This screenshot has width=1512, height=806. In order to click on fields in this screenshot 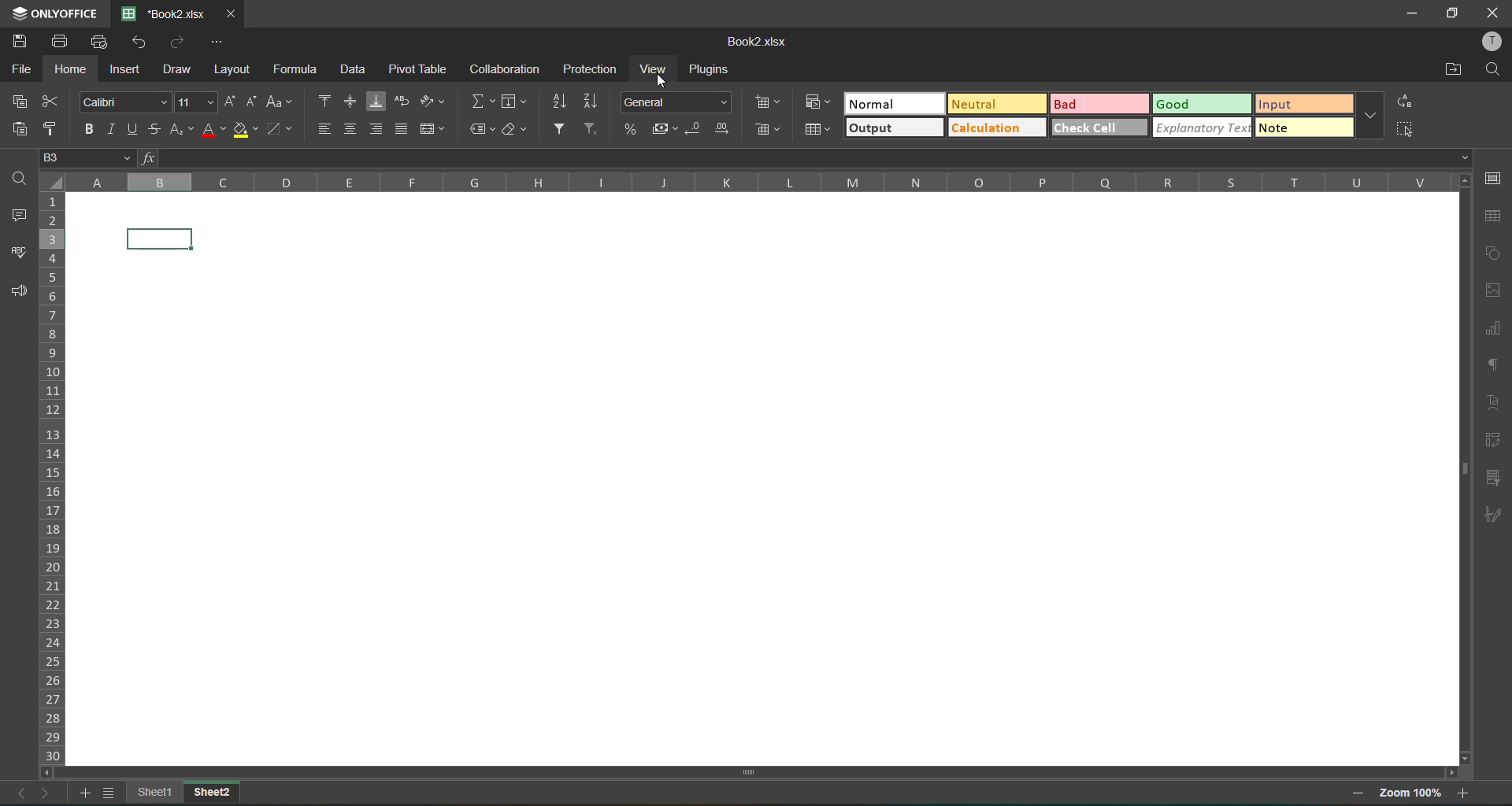, I will do `click(514, 103)`.